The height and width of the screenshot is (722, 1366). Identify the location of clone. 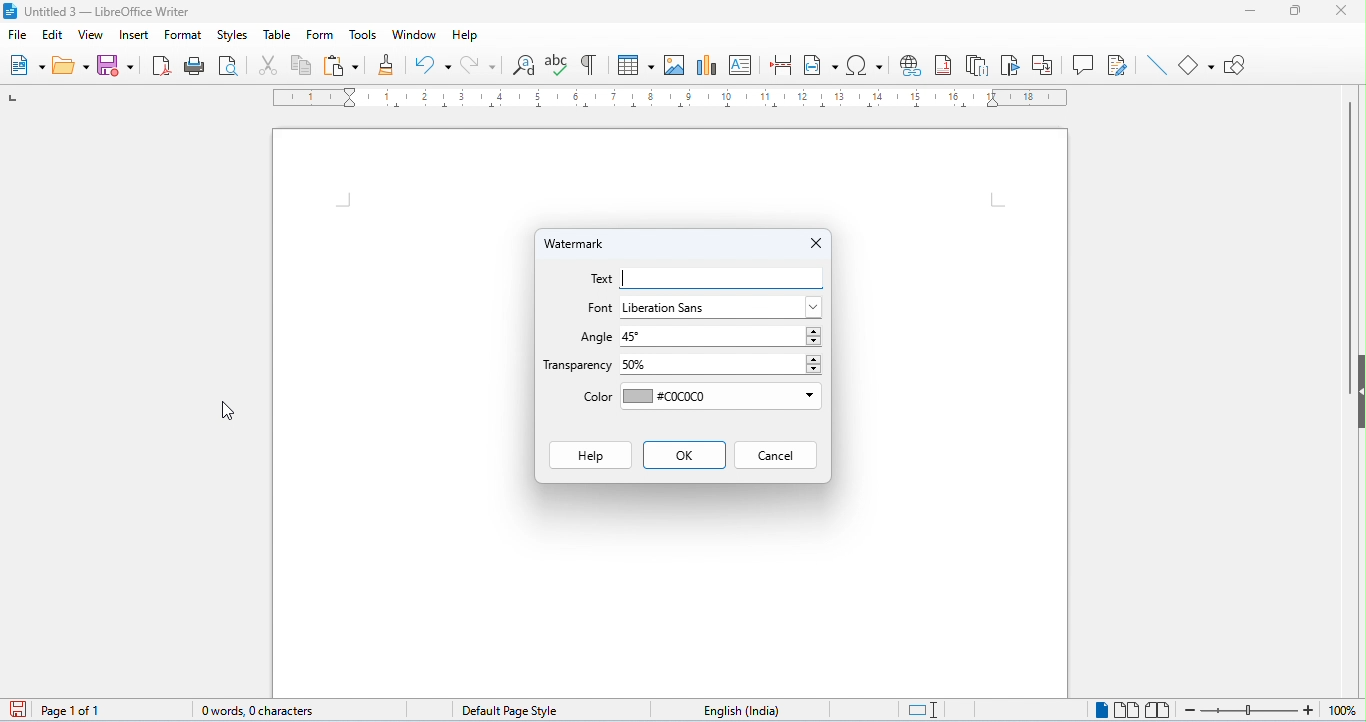
(387, 63).